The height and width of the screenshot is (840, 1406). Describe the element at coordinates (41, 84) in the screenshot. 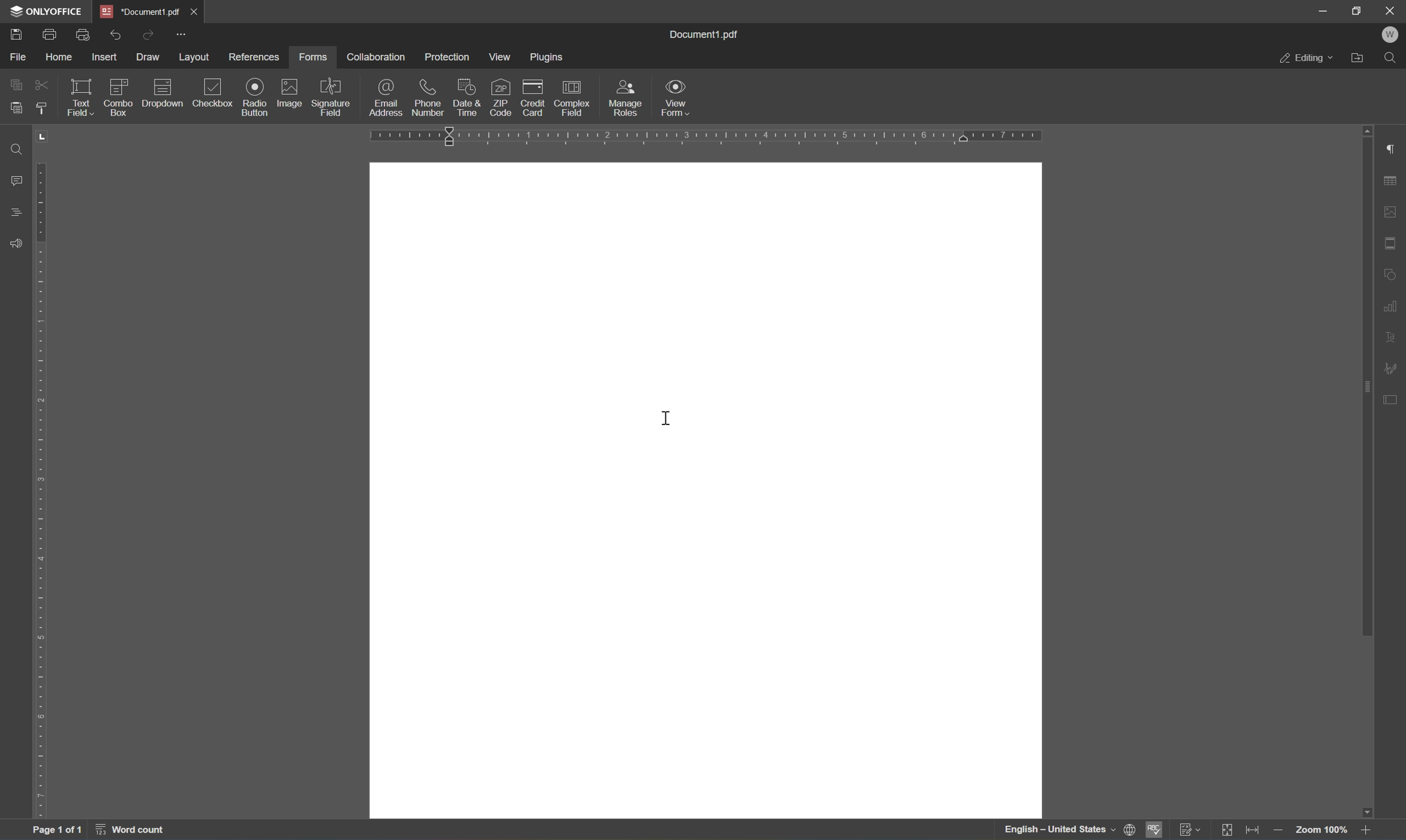

I see `cut` at that location.